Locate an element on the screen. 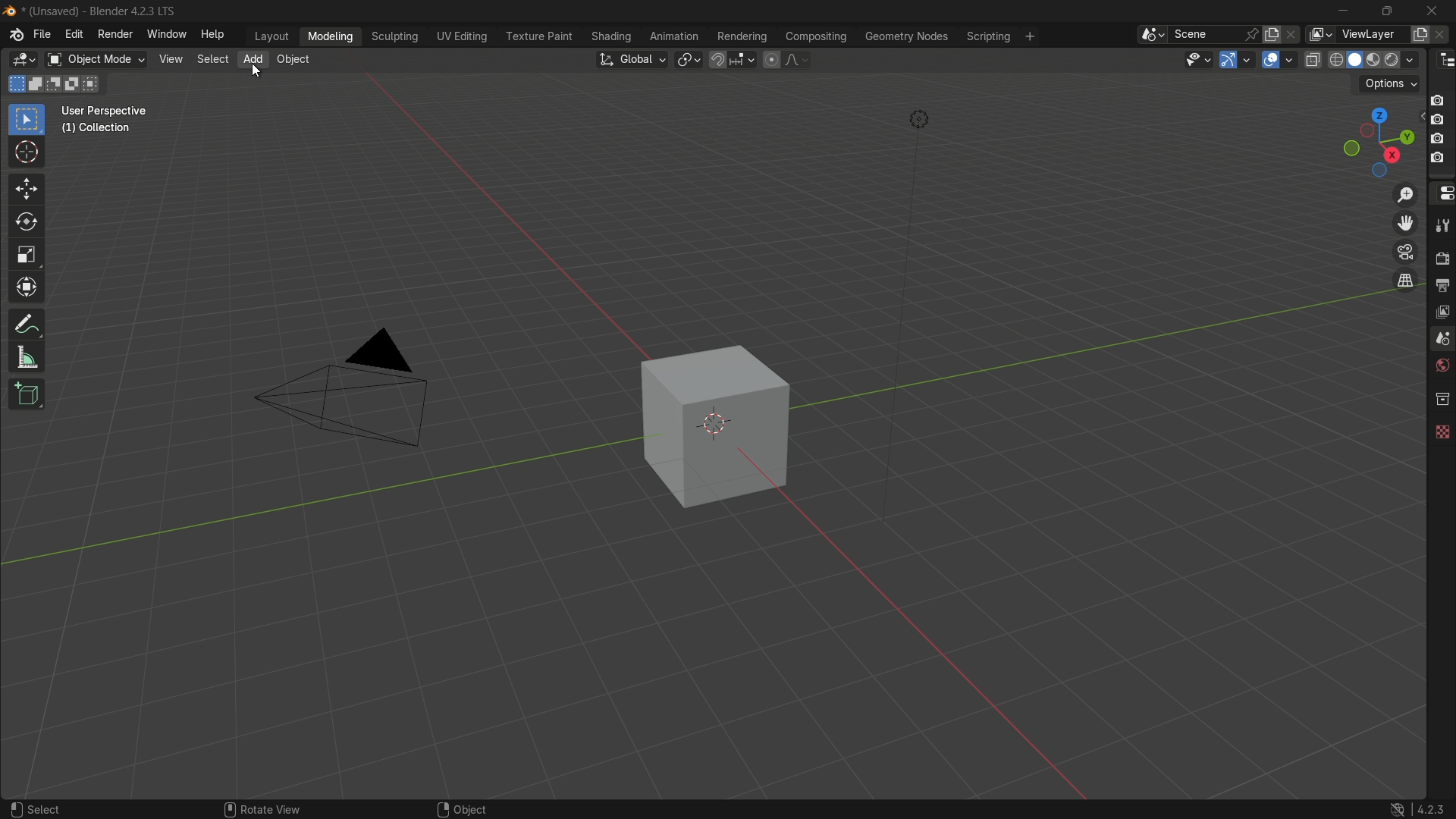  extend existing selection is located at coordinates (37, 83).